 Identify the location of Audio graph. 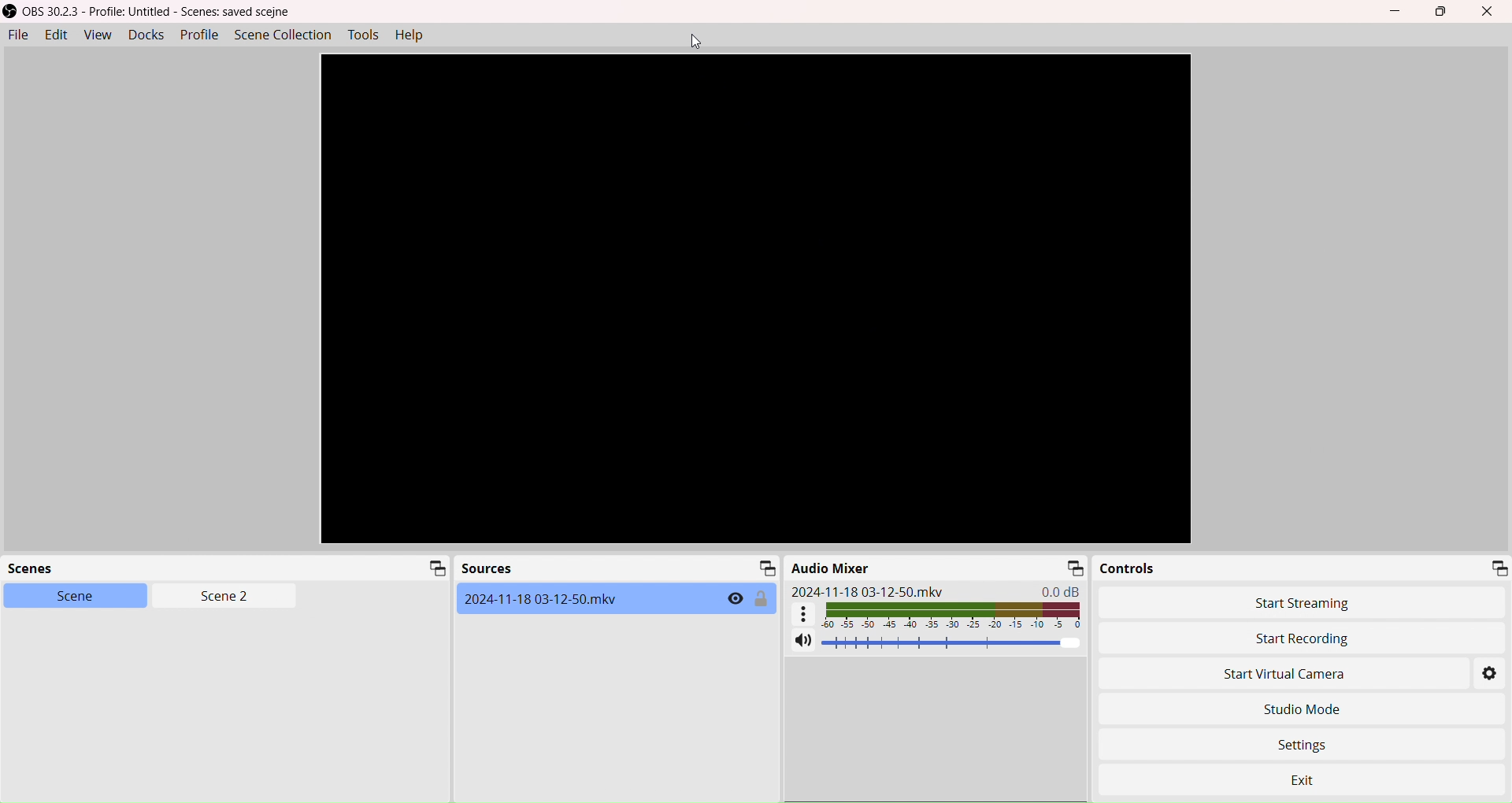
(938, 614).